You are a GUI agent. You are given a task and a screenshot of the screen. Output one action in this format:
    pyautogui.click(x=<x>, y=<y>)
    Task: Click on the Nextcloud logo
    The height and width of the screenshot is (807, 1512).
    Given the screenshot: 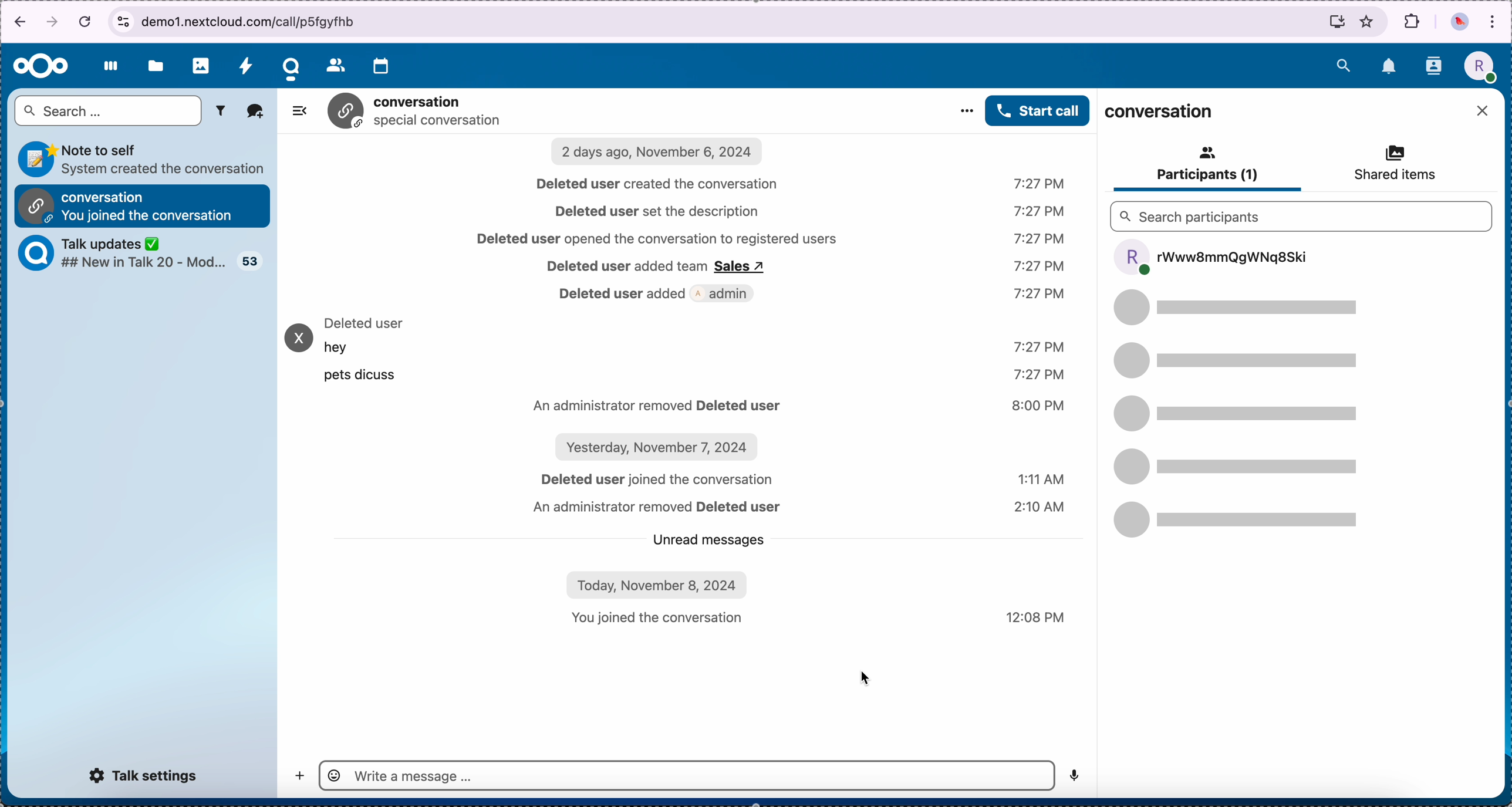 What is the action you would take?
    pyautogui.click(x=40, y=67)
    